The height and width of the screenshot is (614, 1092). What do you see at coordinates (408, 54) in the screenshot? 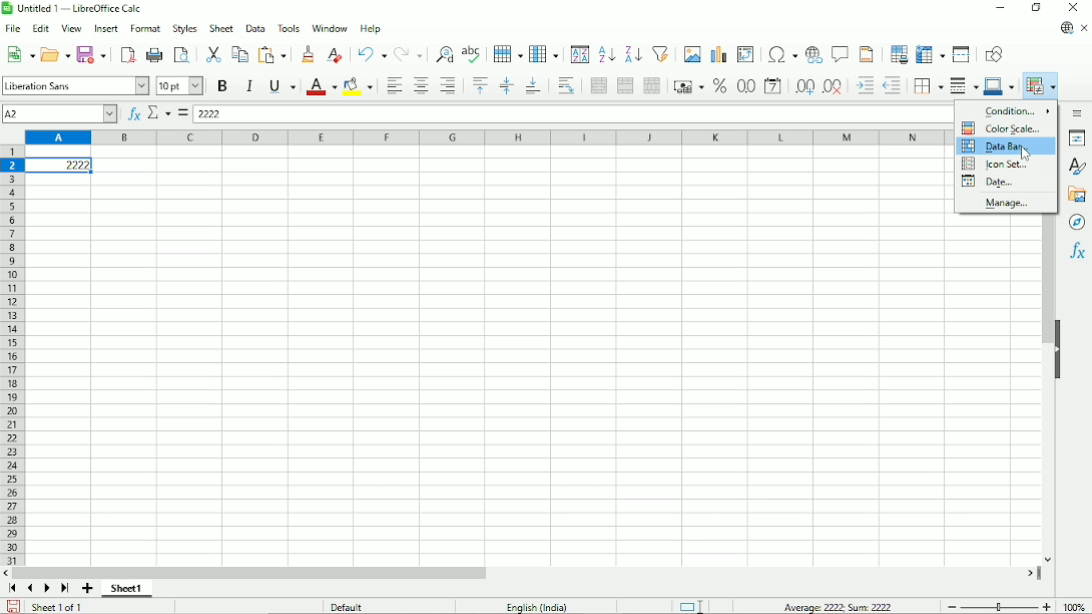
I see `Redo` at bounding box center [408, 54].